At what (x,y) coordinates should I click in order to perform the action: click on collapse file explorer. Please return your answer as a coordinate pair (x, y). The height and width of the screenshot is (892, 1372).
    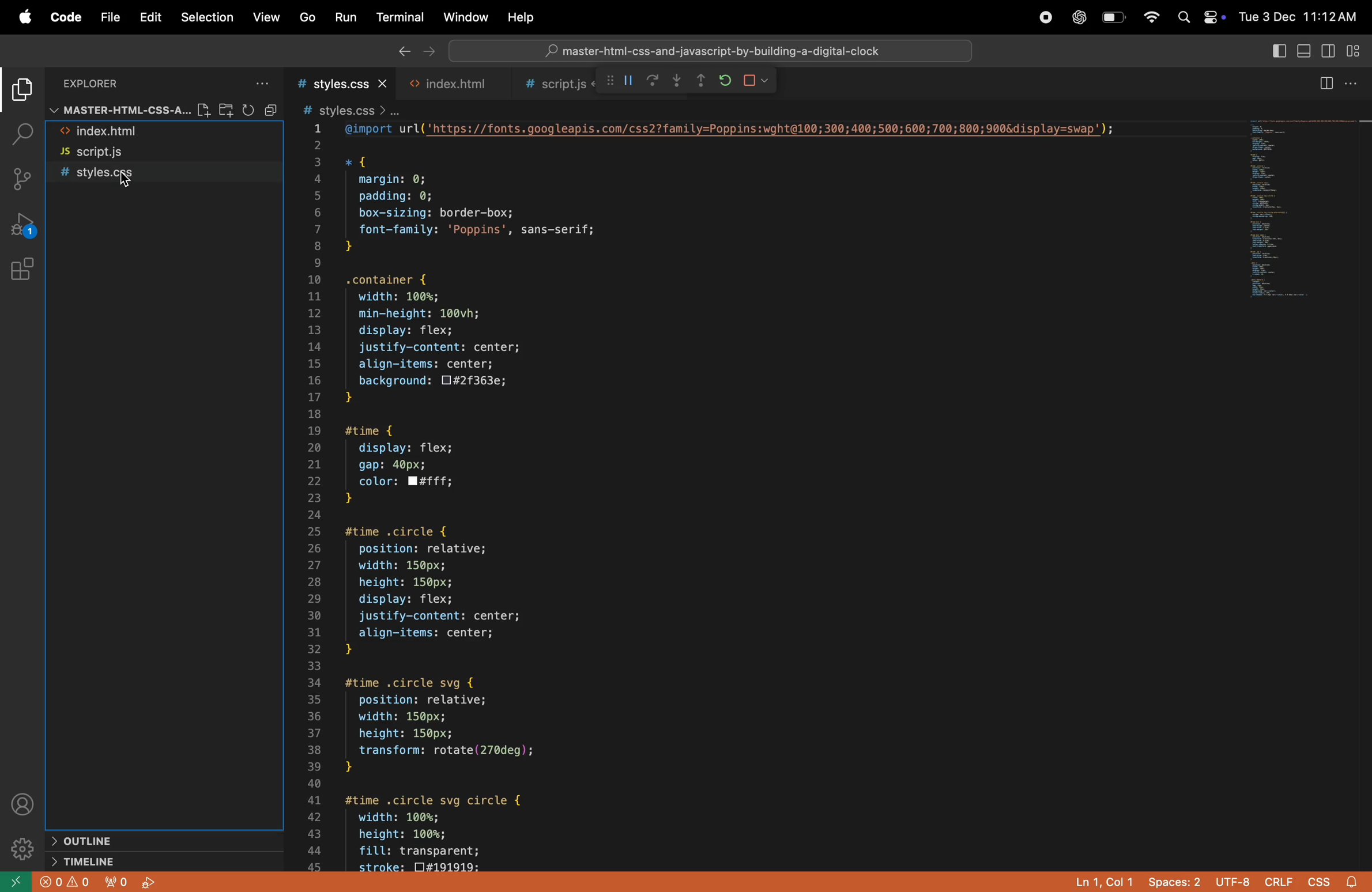
    Looking at the image, I should click on (272, 109).